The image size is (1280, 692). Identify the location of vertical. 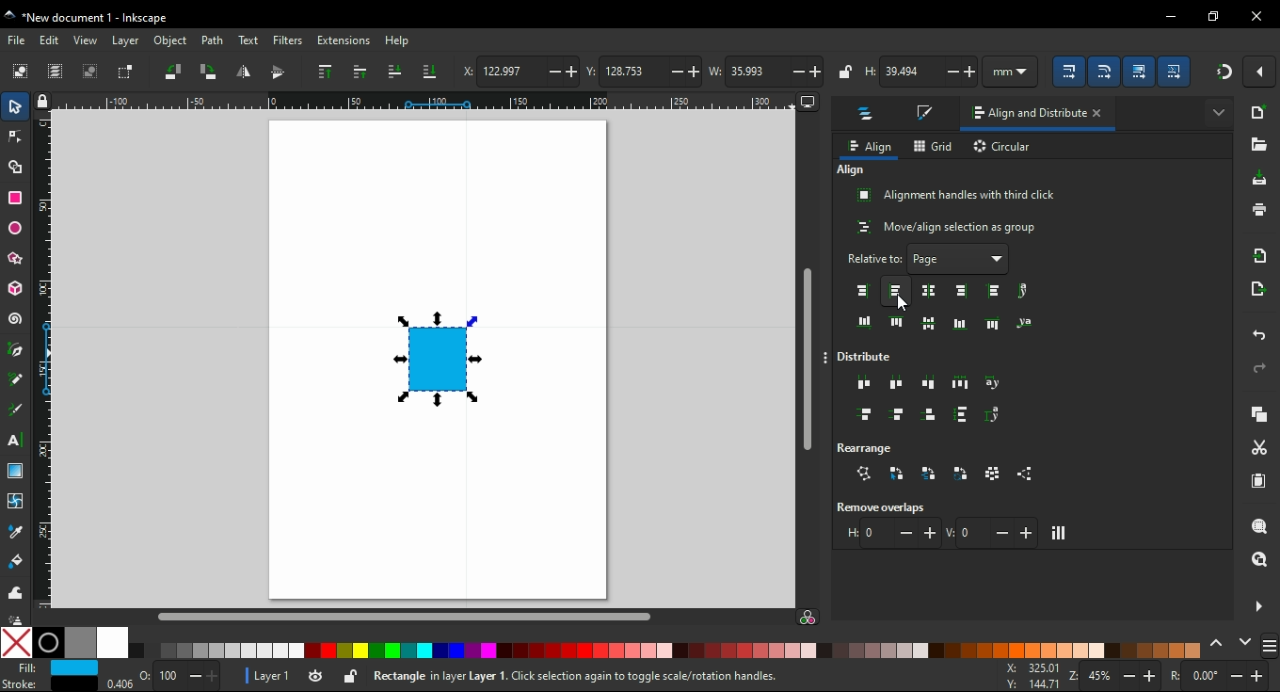
(991, 532).